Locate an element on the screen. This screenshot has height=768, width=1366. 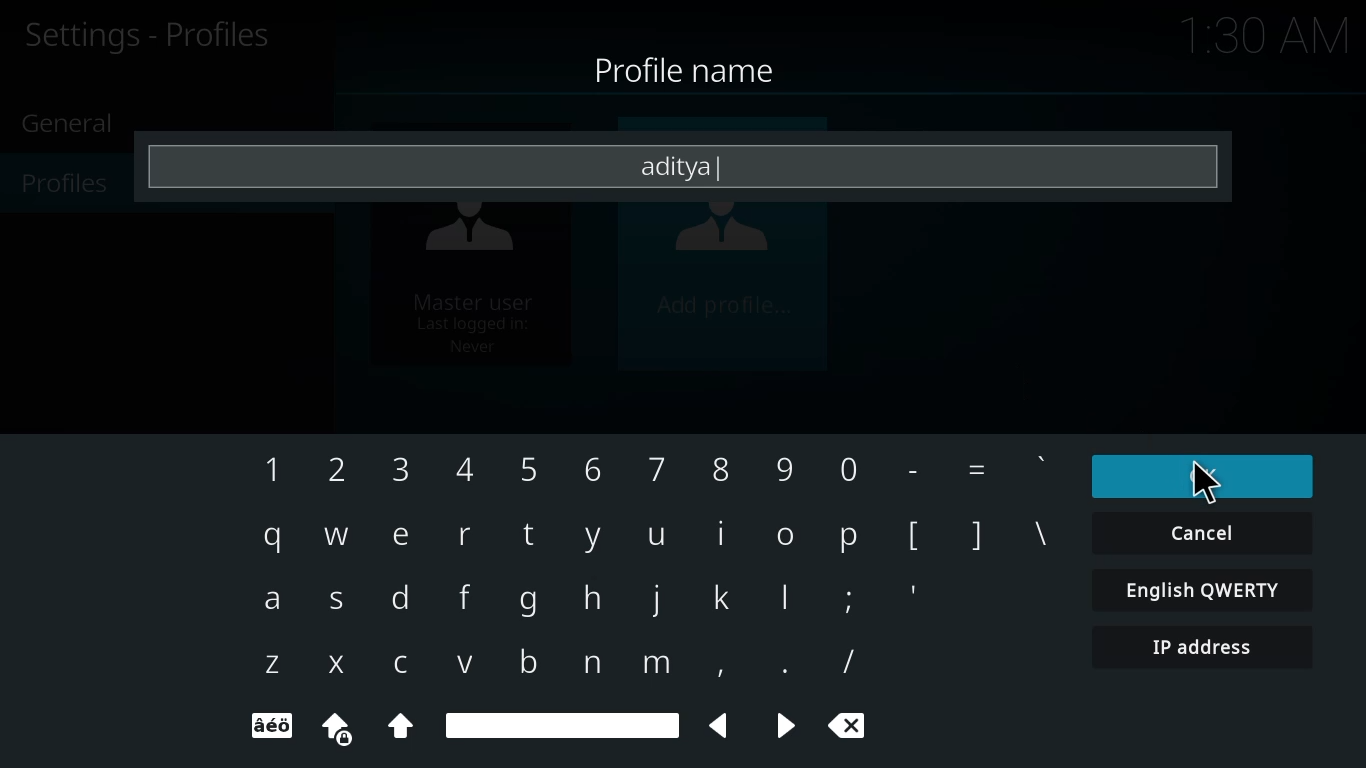
add profile is located at coordinates (726, 265).